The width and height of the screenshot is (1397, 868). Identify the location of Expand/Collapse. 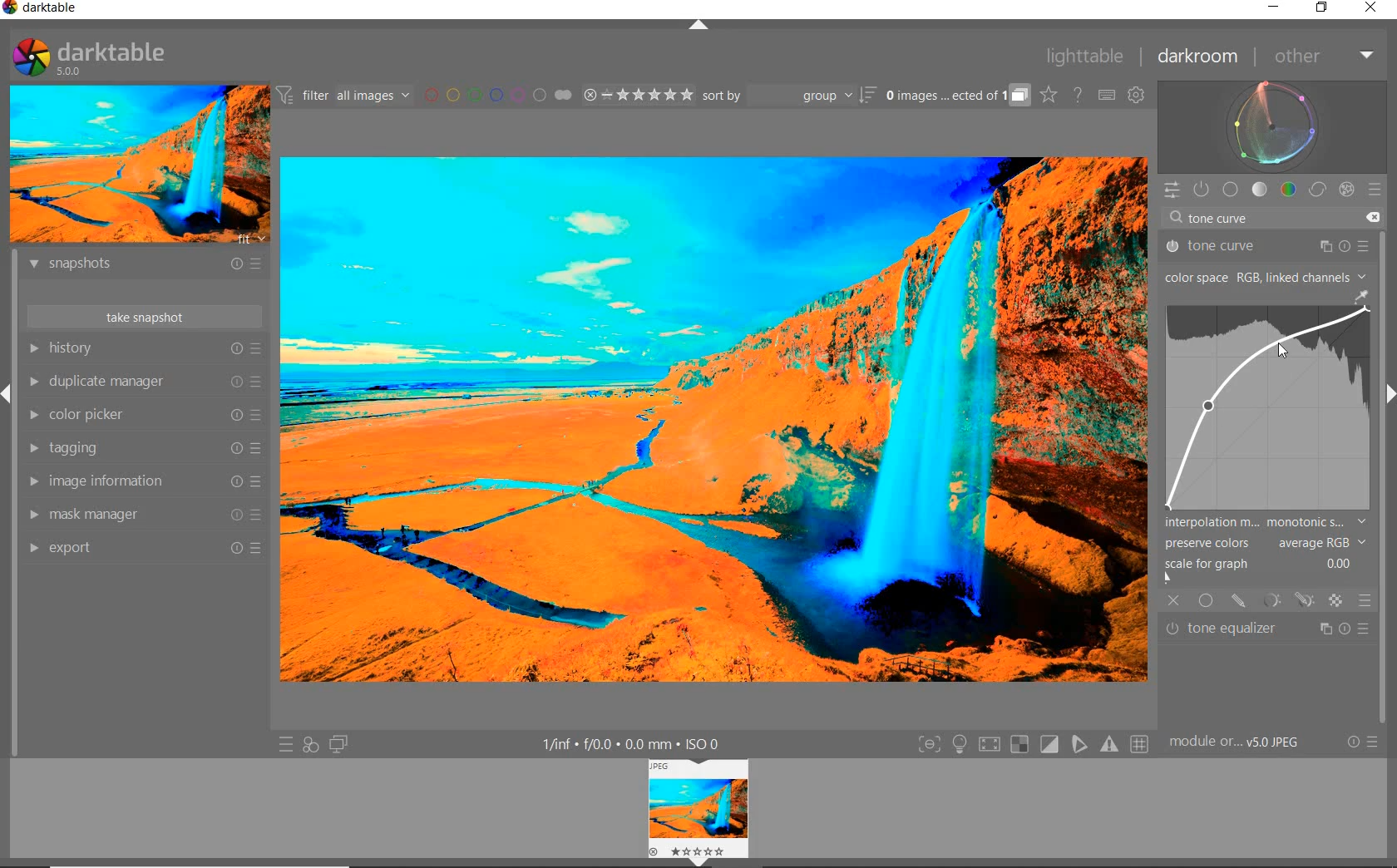
(8, 395).